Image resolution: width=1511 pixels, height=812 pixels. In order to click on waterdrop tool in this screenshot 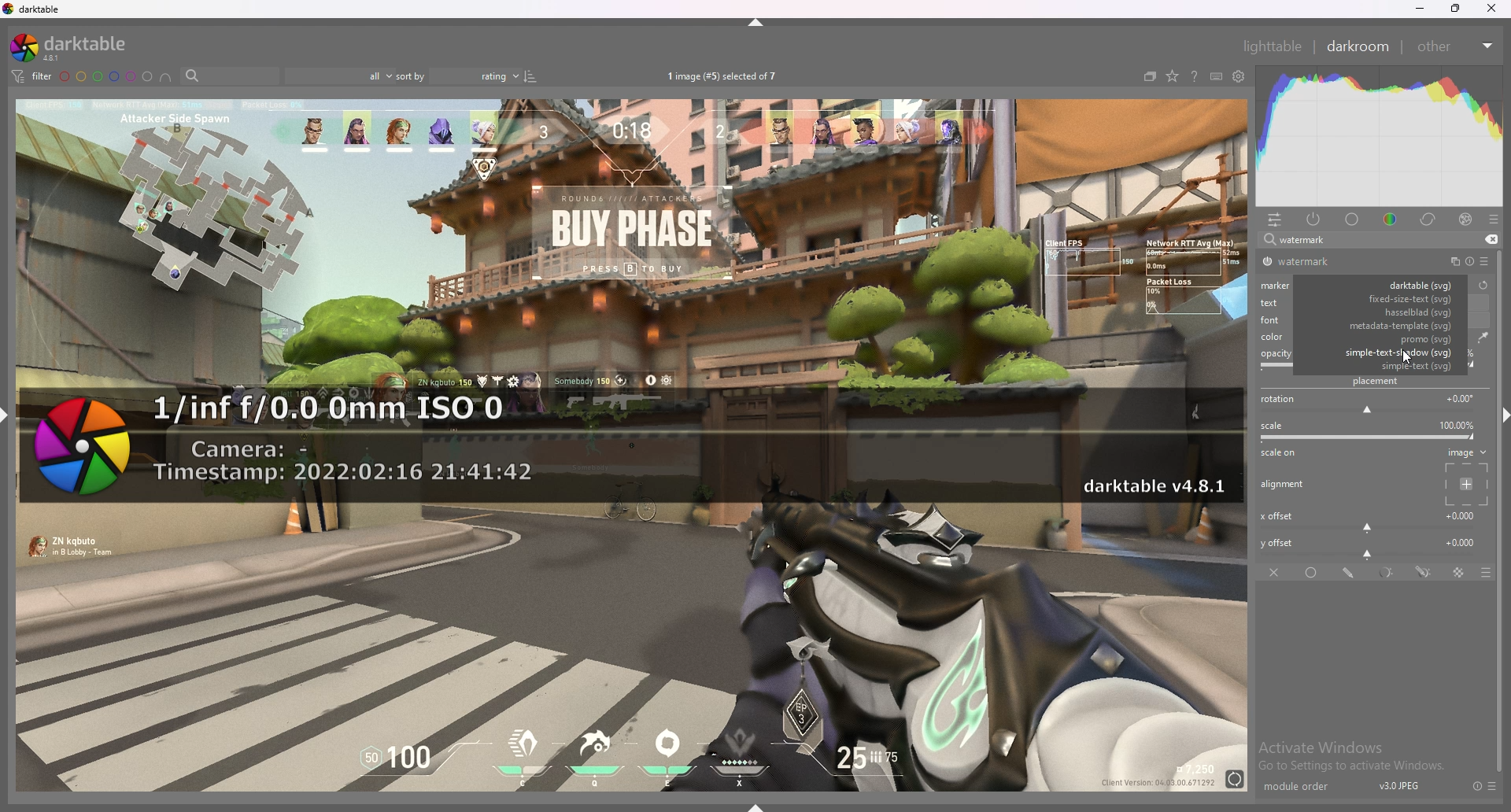, I will do `click(1479, 337)`.